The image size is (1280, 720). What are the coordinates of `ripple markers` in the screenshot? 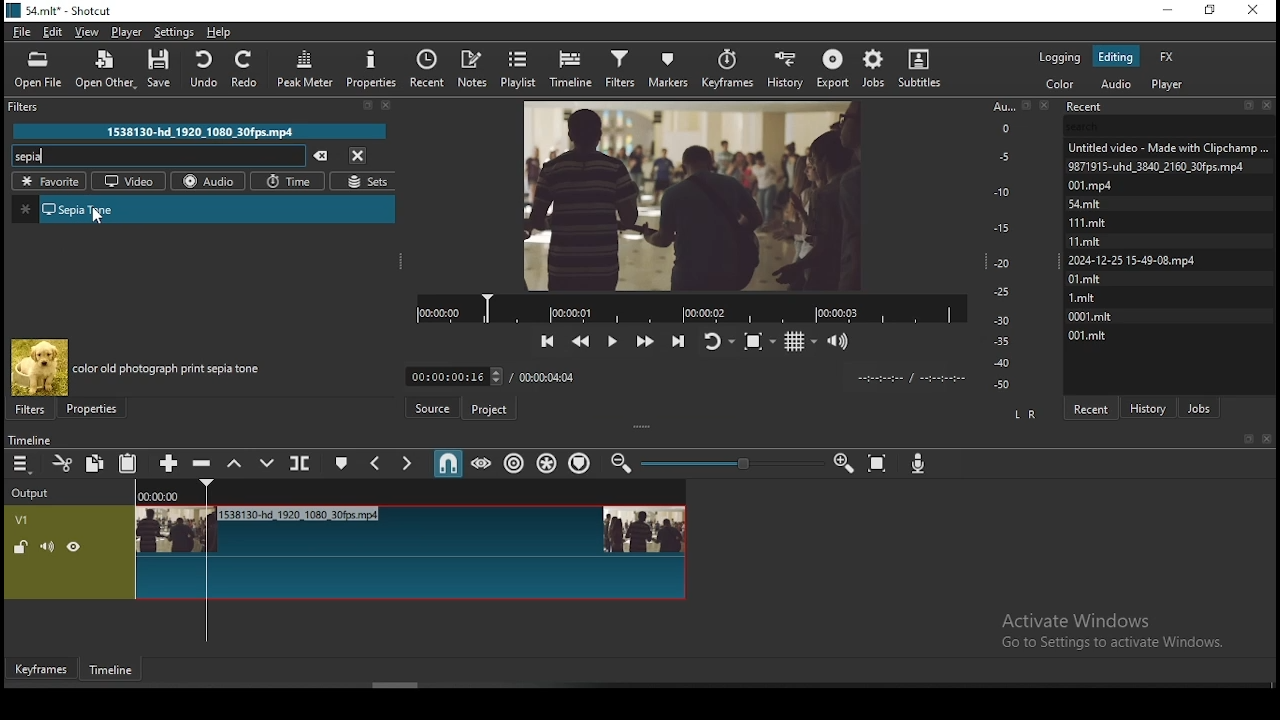 It's located at (581, 464).